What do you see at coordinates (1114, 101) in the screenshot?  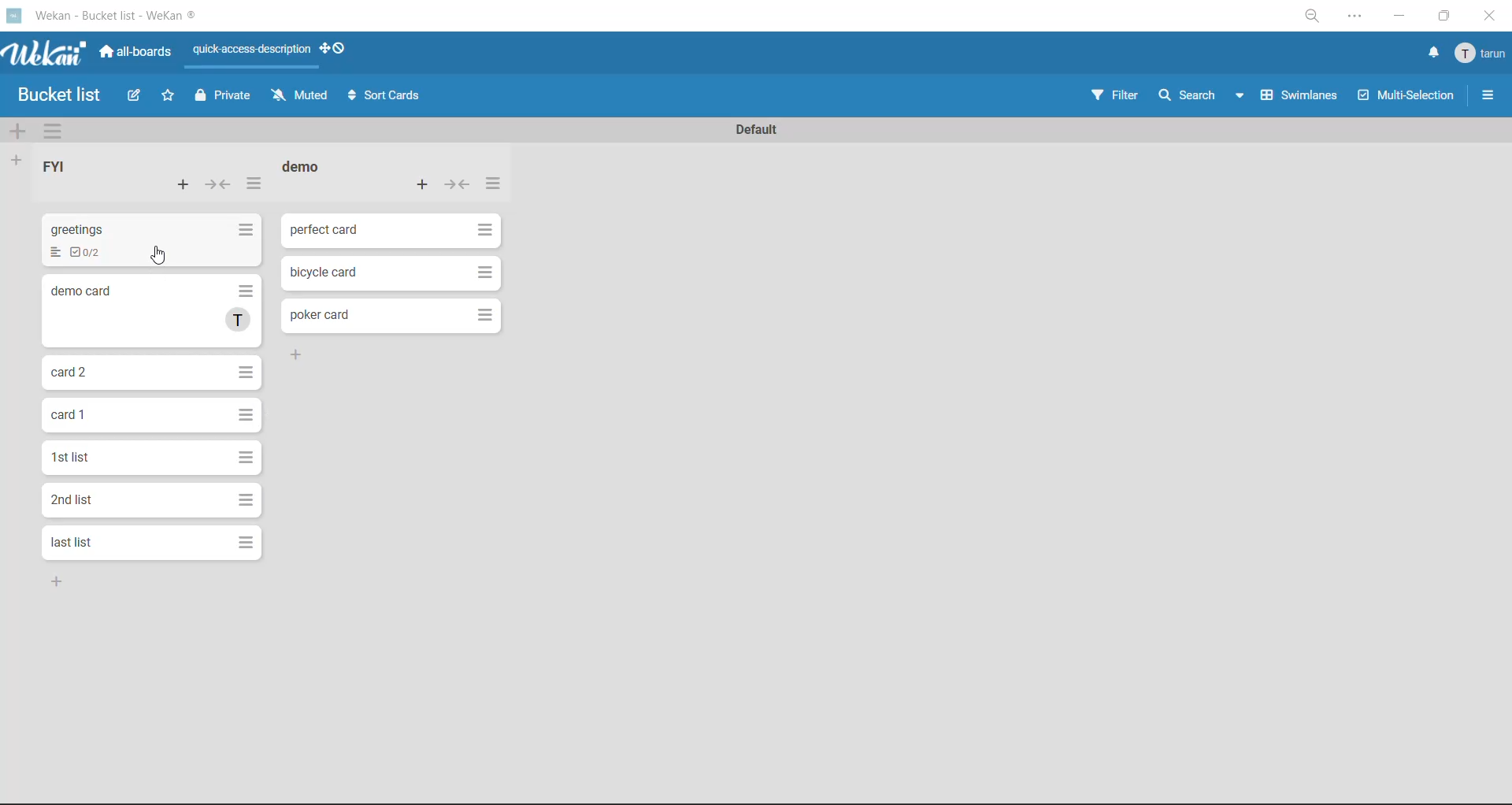 I see `filter` at bounding box center [1114, 101].